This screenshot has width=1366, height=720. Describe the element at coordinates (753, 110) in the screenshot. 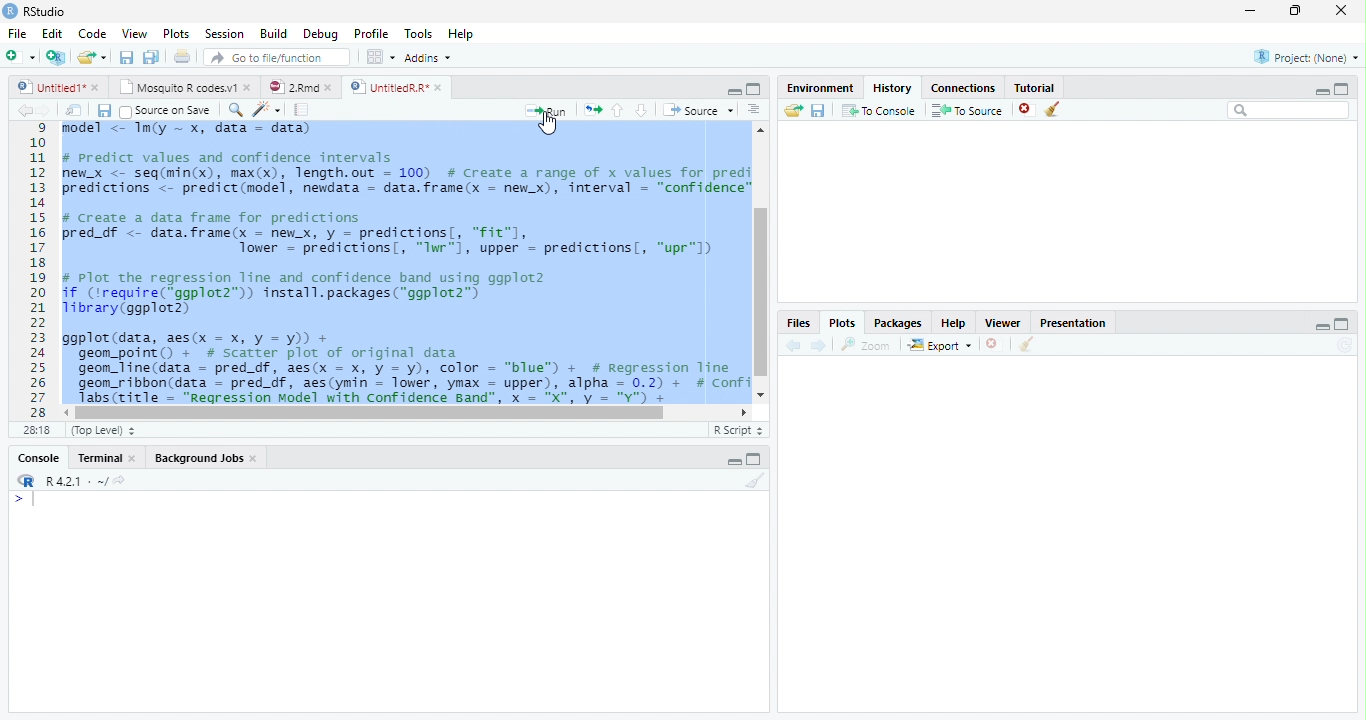

I see `Alignment` at that location.